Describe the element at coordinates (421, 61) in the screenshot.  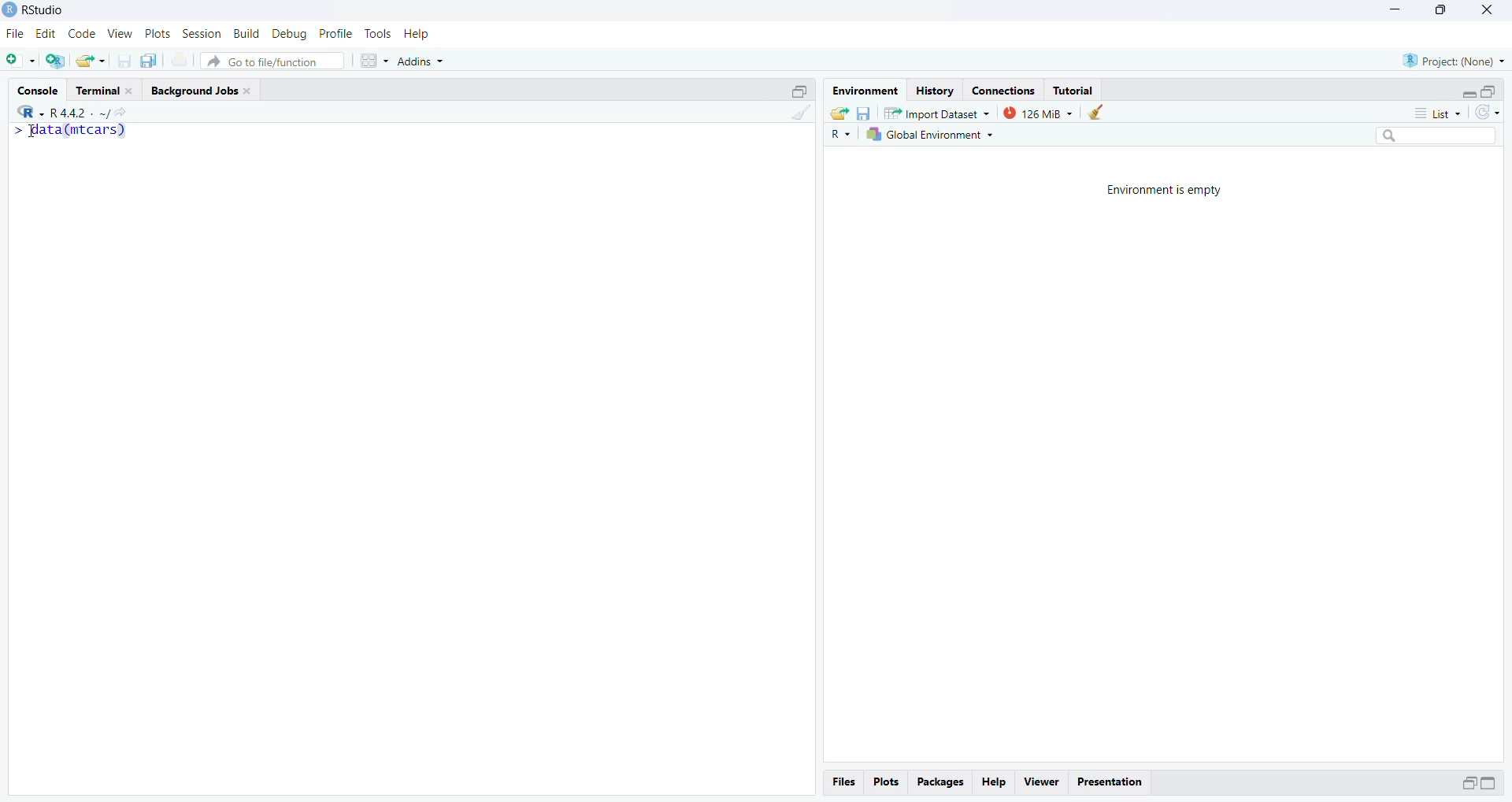
I see `Addins` at that location.